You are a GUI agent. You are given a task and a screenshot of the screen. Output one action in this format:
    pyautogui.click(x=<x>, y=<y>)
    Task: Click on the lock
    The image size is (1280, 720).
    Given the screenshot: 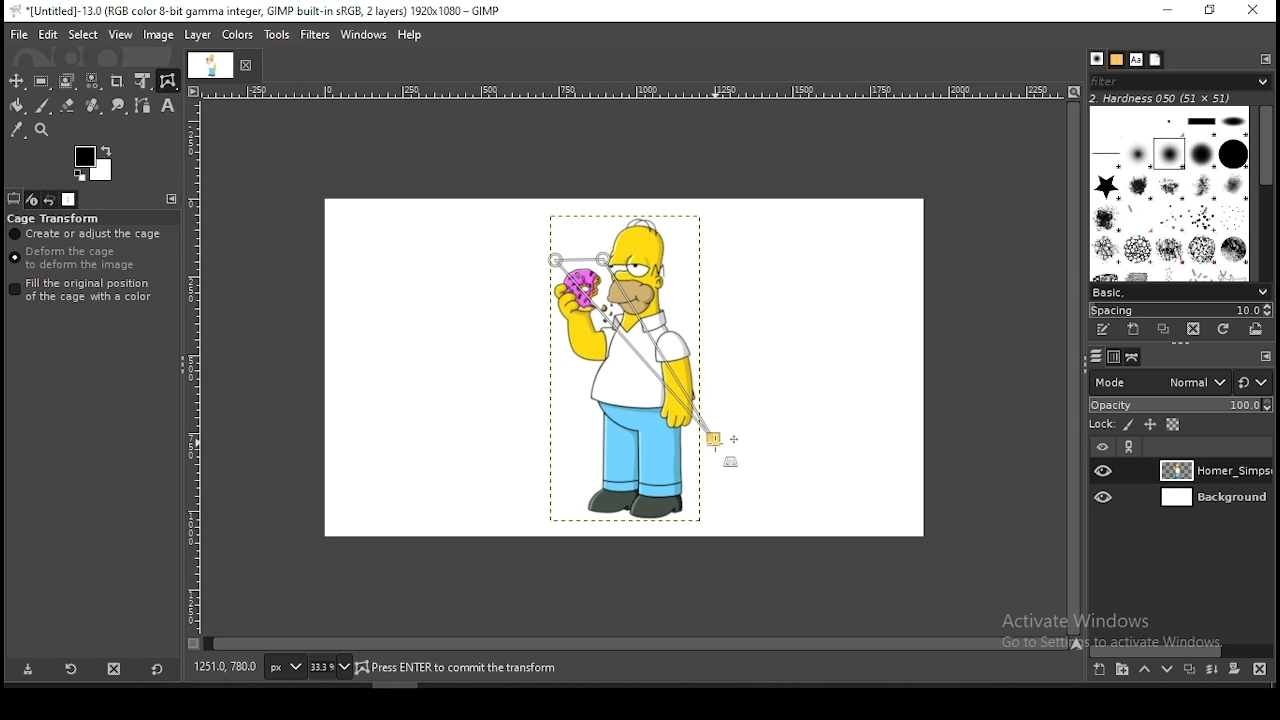 What is the action you would take?
    pyautogui.click(x=1100, y=425)
    